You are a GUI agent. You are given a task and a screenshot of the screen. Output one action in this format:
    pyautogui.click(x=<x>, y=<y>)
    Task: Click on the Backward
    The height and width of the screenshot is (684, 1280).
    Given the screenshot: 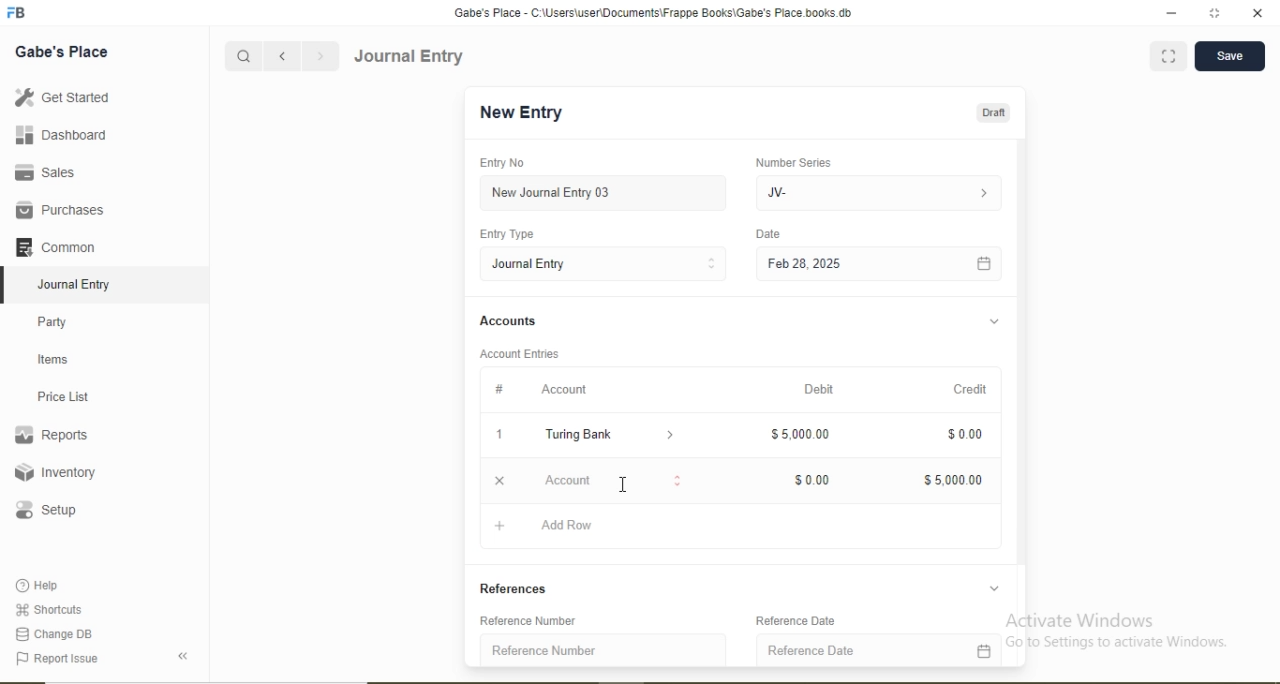 What is the action you would take?
    pyautogui.click(x=282, y=57)
    